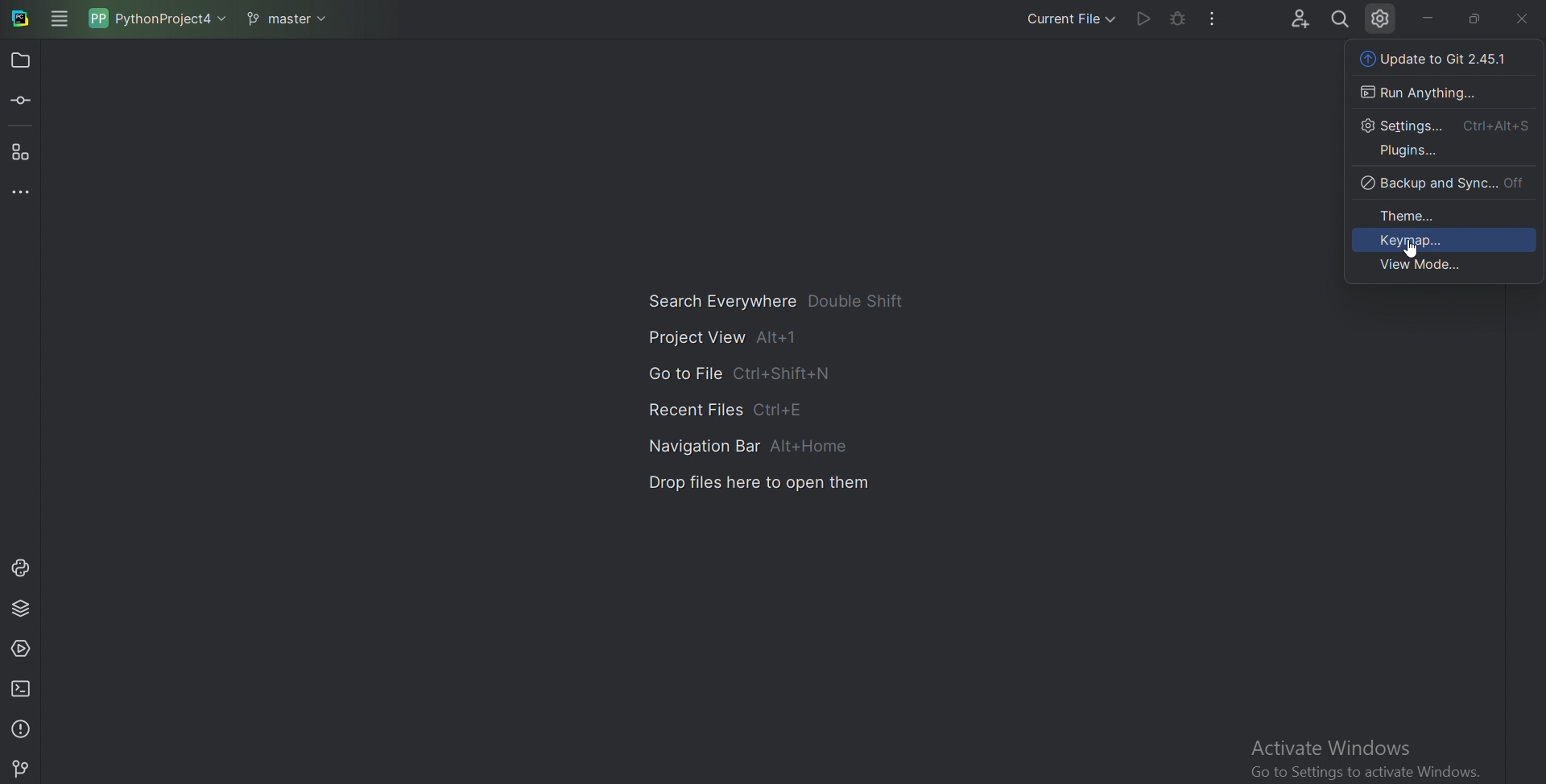 The image size is (1546, 784). What do you see at coordinates (21, 19) in the screenshot?
I see `Pycharm` at bounding box center [21, 19].